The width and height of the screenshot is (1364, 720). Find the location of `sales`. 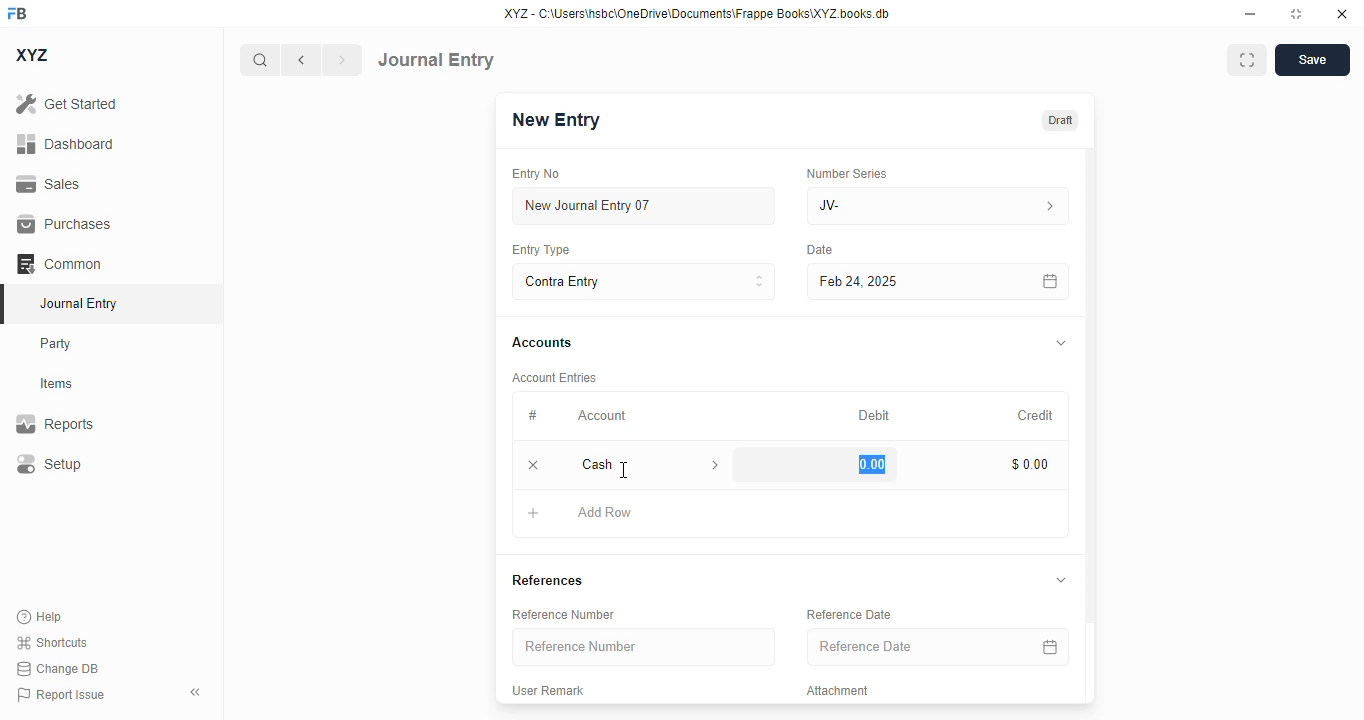

sales is located at coordinates (48, 184).